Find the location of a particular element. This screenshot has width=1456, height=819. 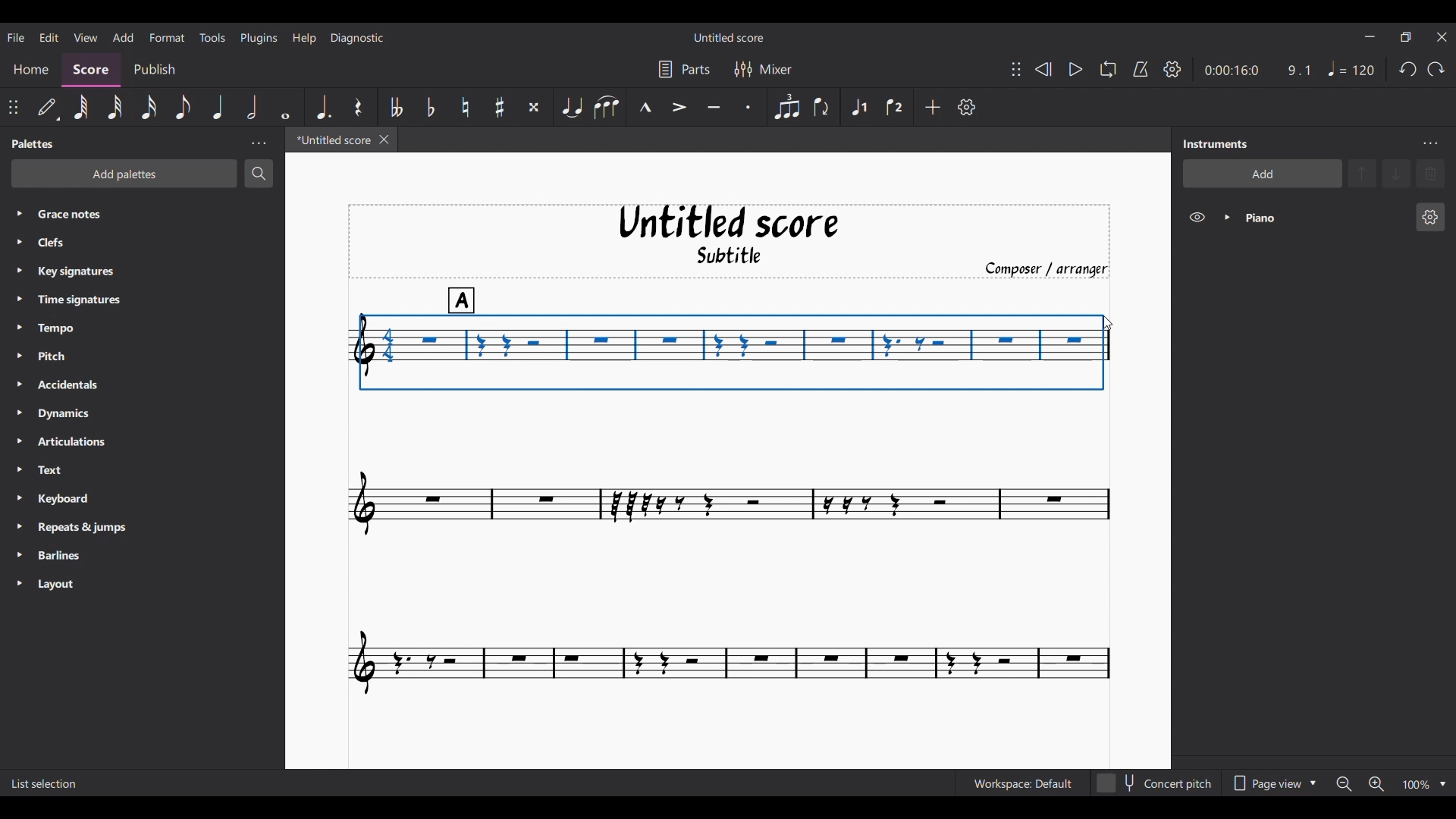

16th note is located at coordinates (149, 106).